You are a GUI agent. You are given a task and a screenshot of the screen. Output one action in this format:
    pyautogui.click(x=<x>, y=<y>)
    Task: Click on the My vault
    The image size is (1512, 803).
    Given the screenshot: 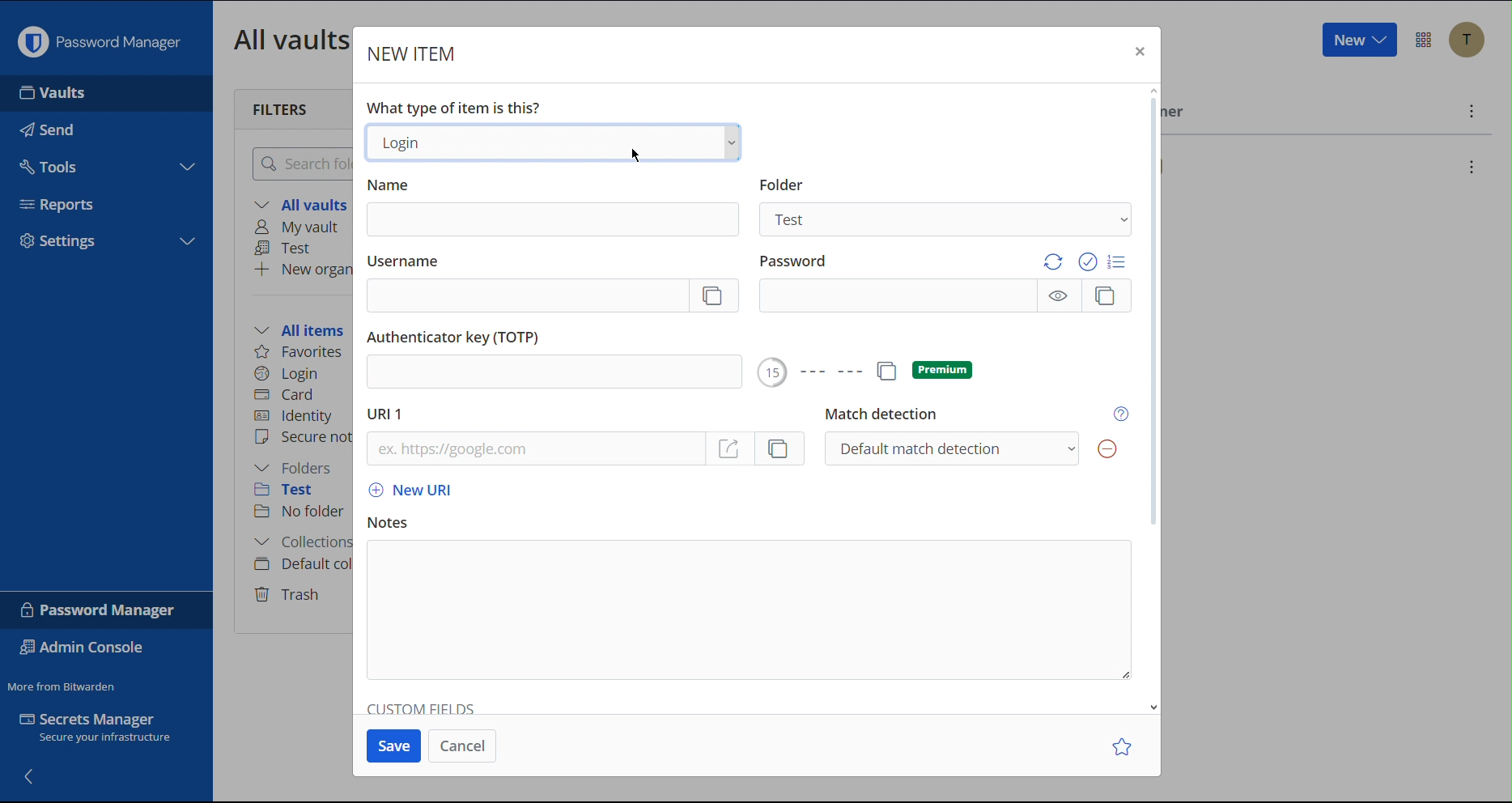 What is the action you would take?
    pyautogui.click(x=302, y=228)
    